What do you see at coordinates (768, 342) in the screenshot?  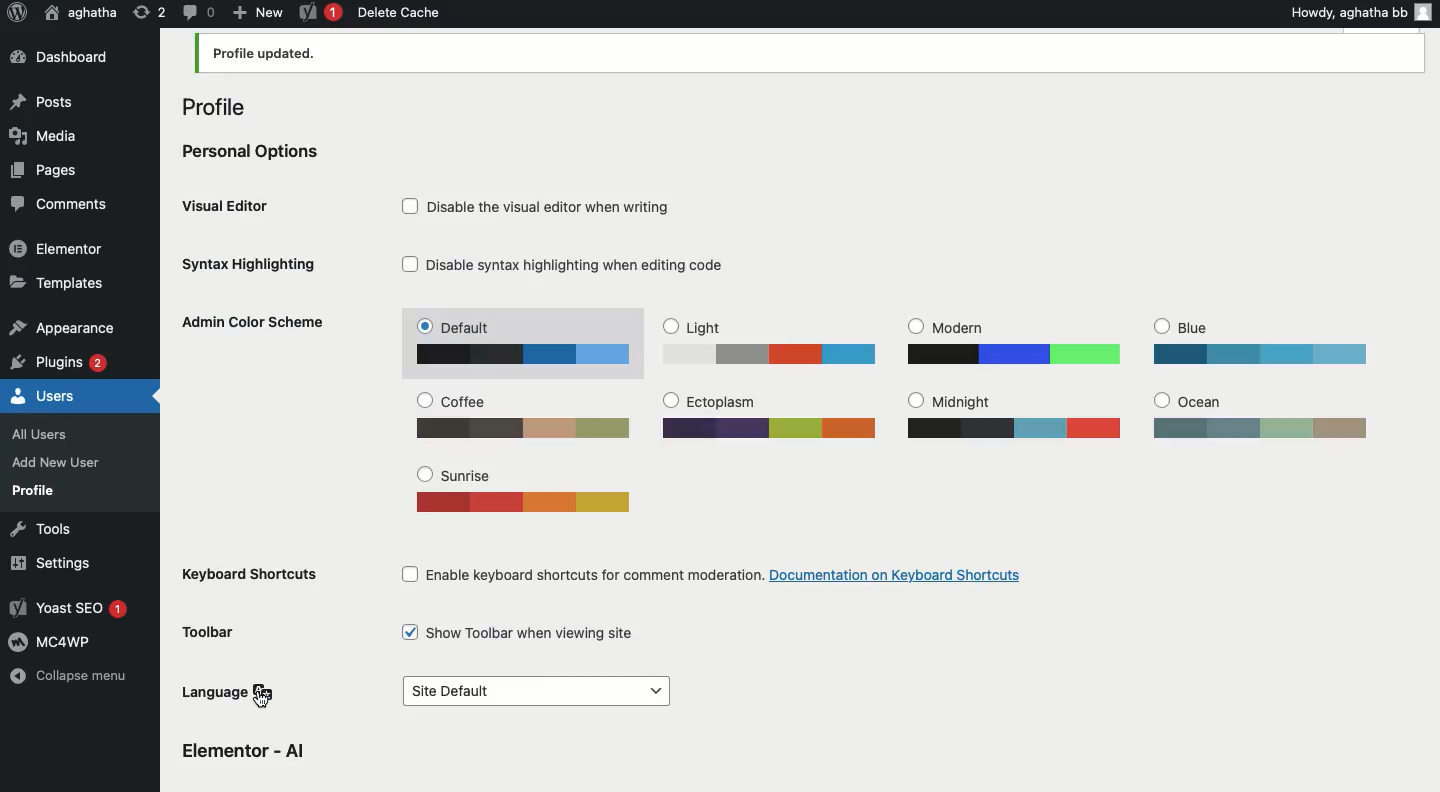 I see `Light` at bounding box center [768, 342].